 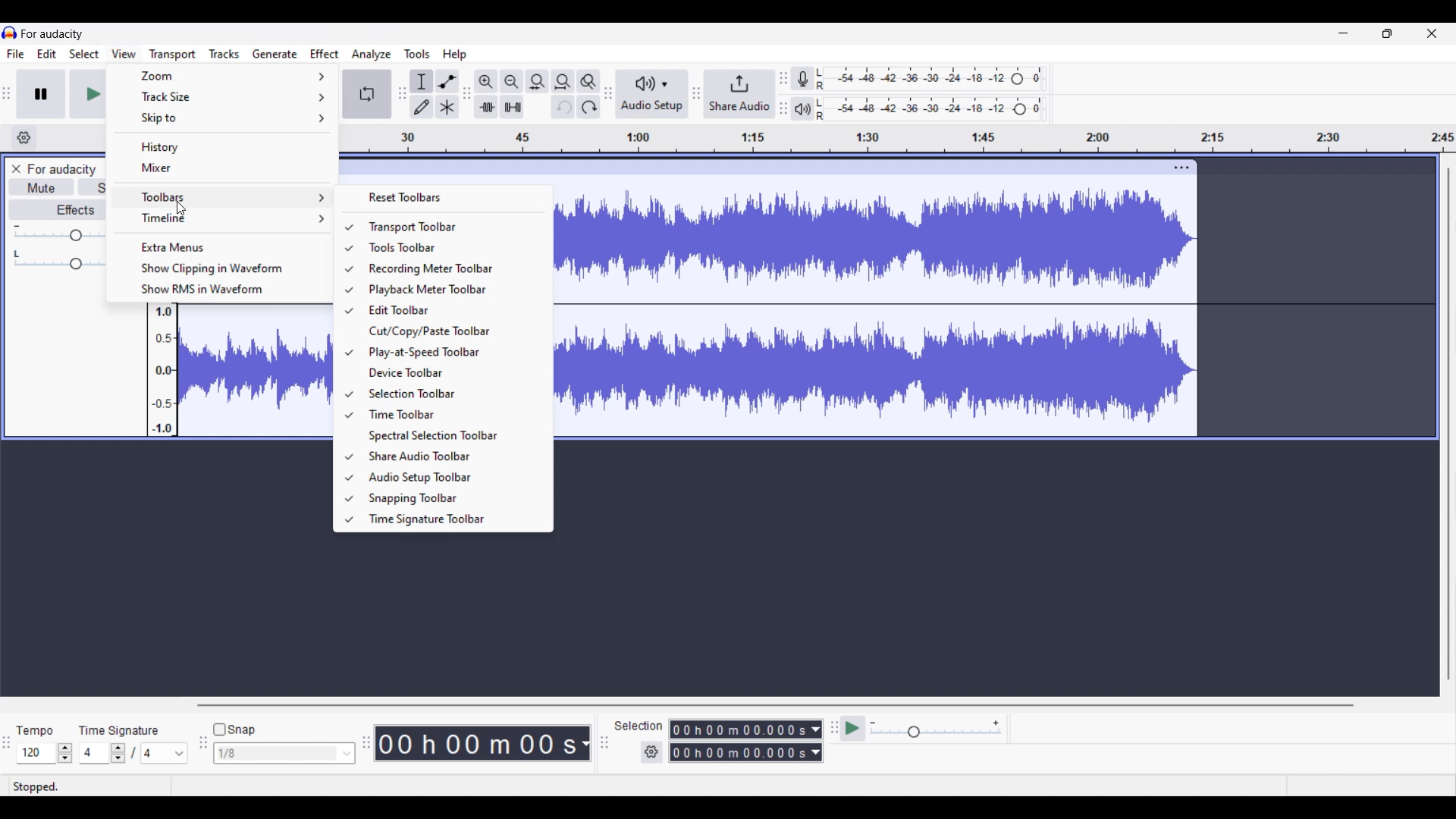 I want to click on Playback meter toolbar, so click(x=452, y=290).